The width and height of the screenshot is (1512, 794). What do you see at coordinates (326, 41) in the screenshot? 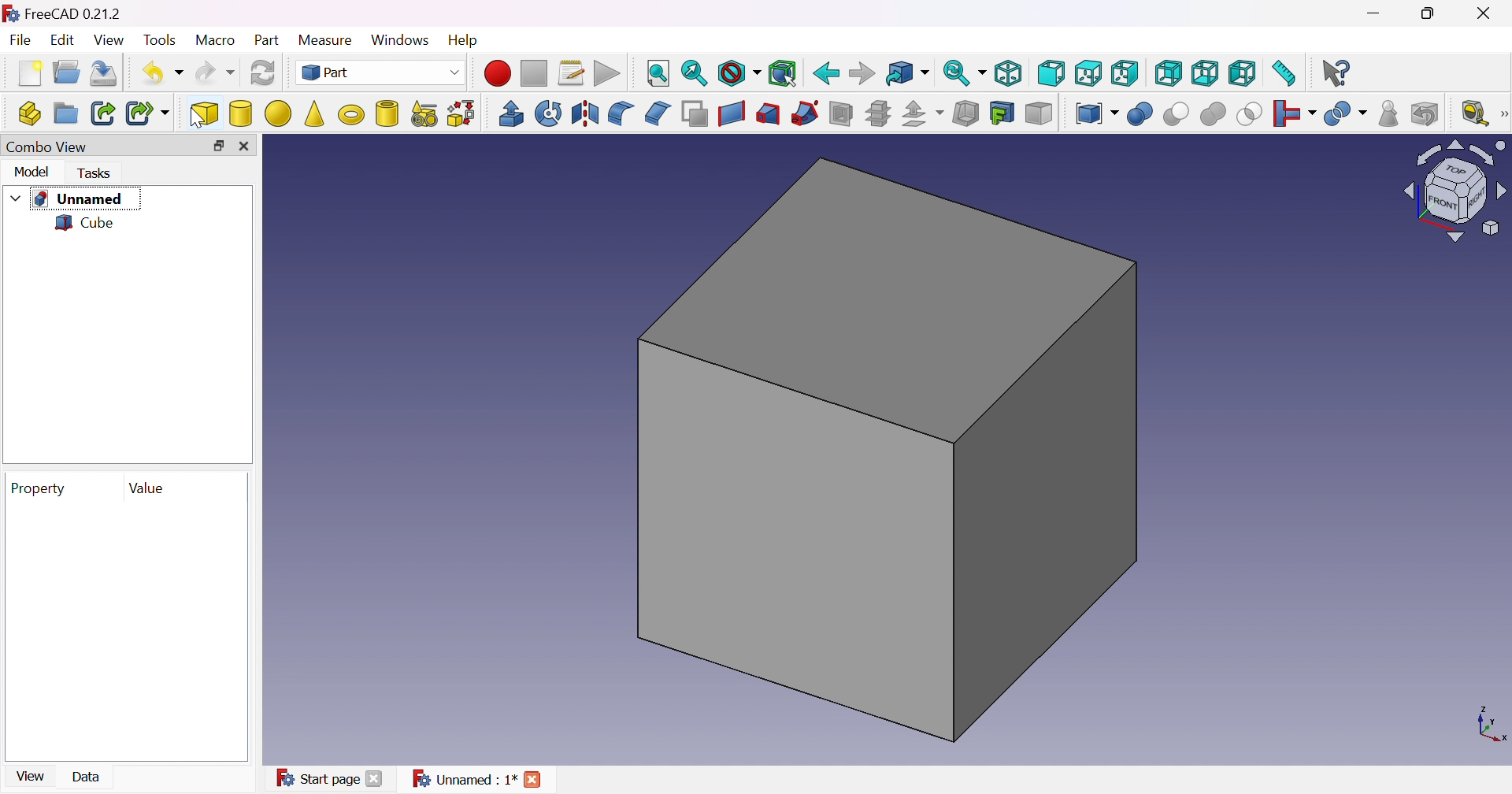
I see `Measure` at bounding box center [326, 41].